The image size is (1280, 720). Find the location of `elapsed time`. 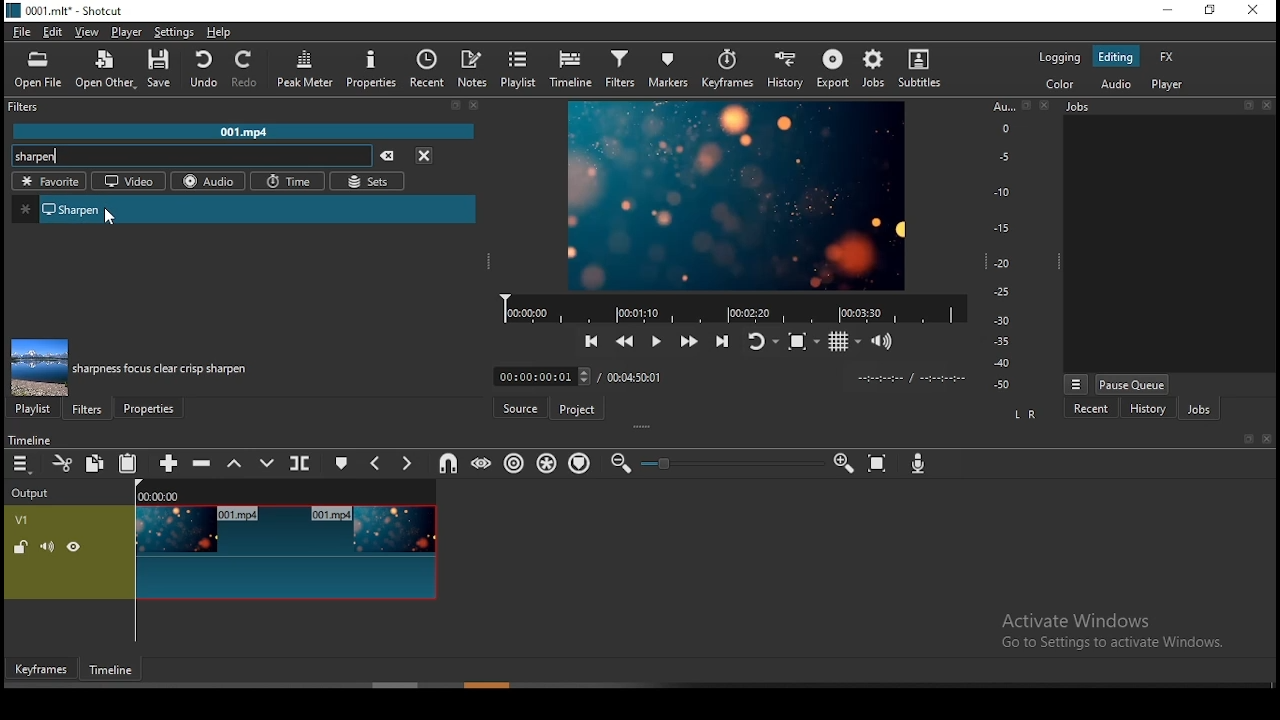

elapsed time is located at coordinates (543, 376).